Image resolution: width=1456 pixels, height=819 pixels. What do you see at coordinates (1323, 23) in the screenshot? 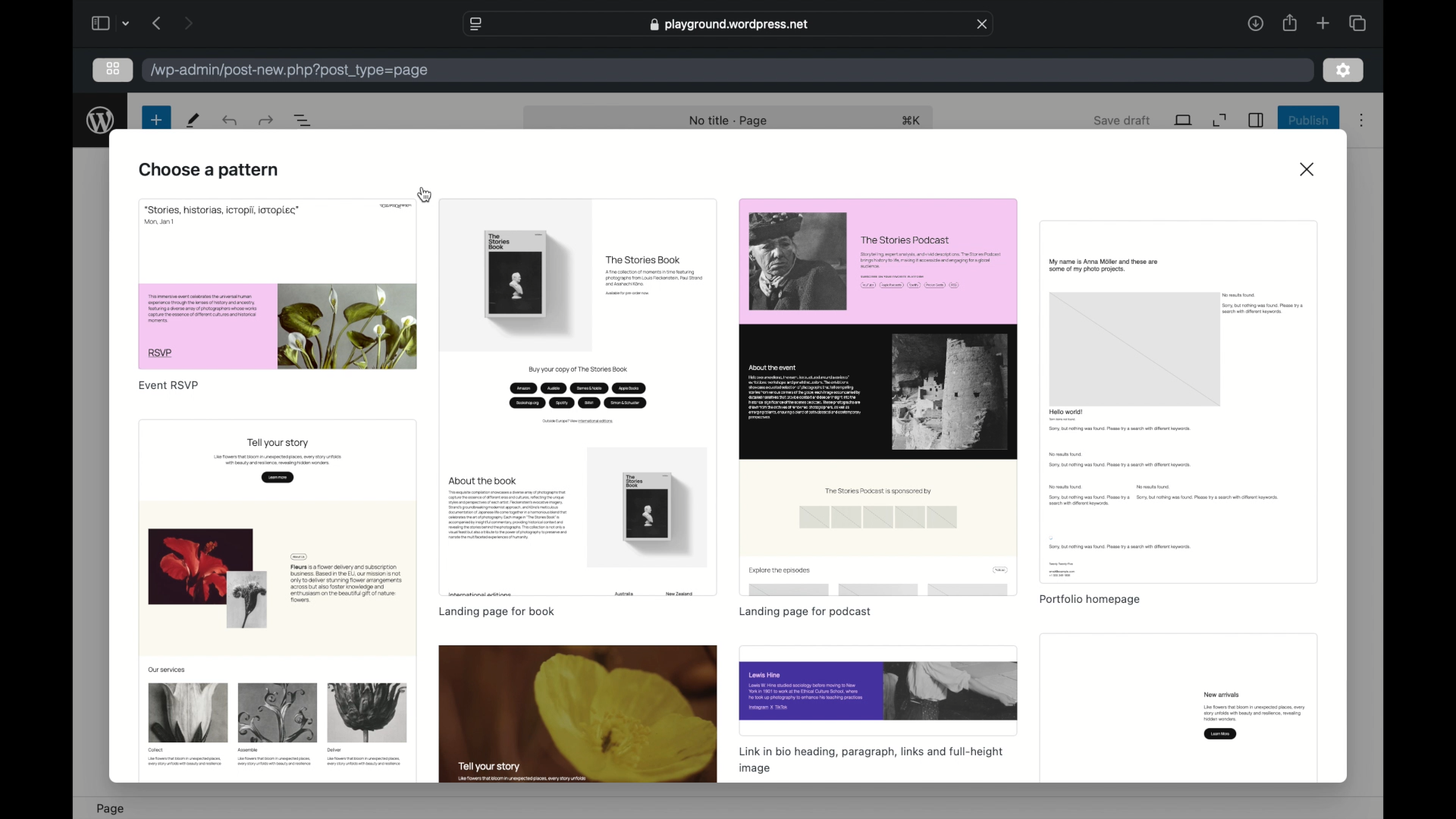
I see `new tab` at bounding box center [1323, 23].